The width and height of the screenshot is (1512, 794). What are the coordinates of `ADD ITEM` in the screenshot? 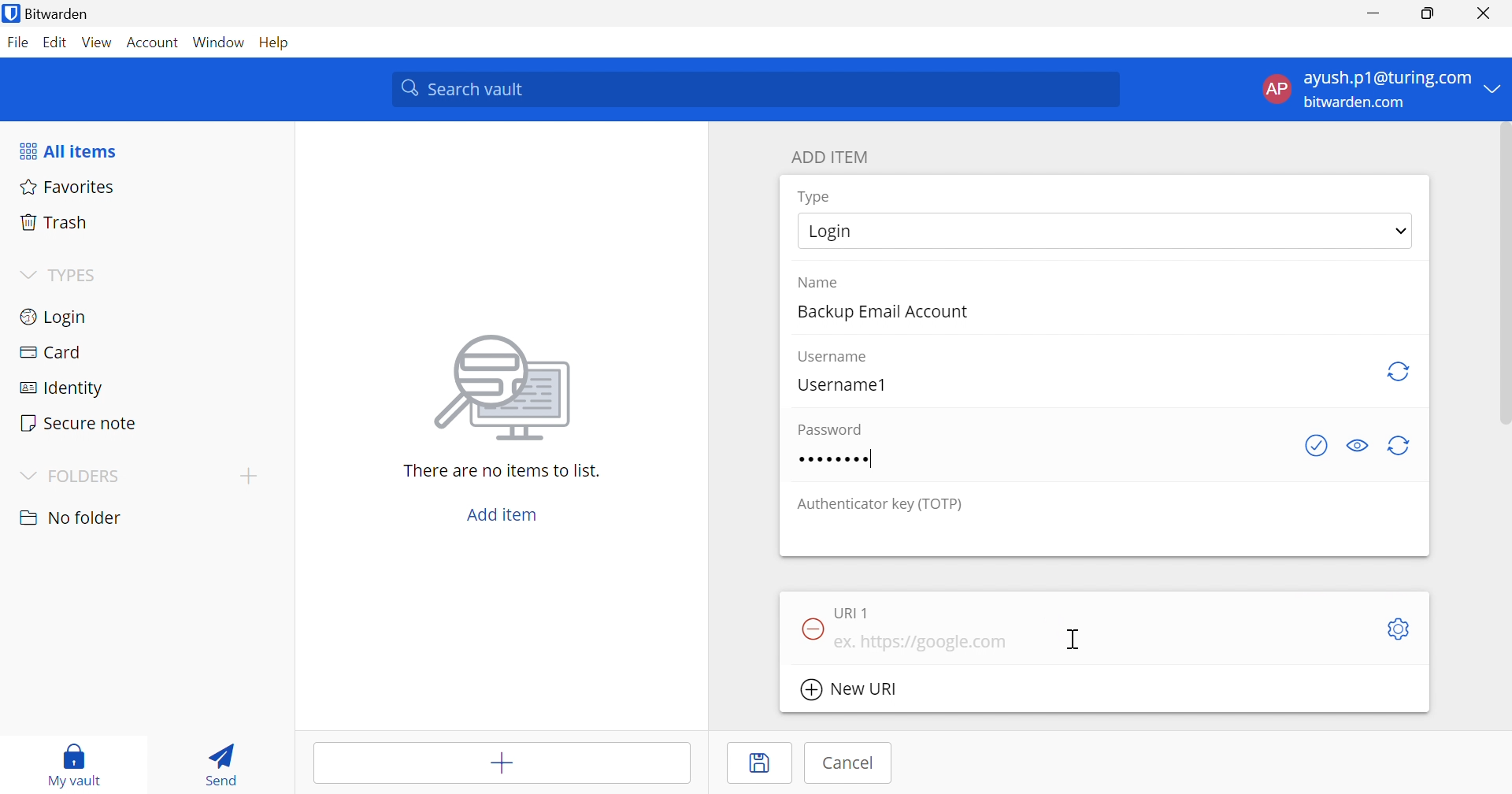 It's located at (830, 158).